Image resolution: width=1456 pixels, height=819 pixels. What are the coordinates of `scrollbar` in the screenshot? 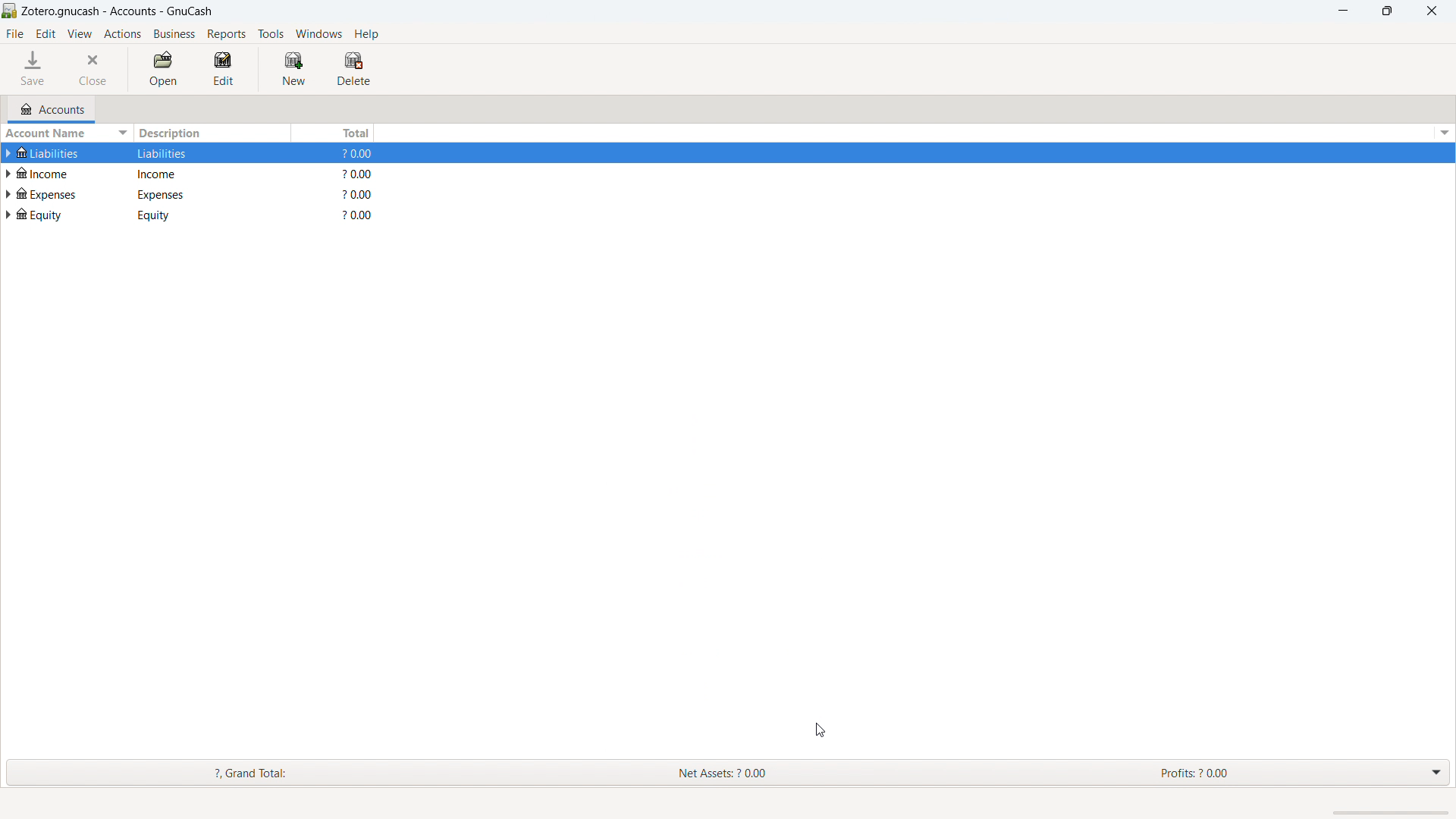 It's located at (1387, 812).